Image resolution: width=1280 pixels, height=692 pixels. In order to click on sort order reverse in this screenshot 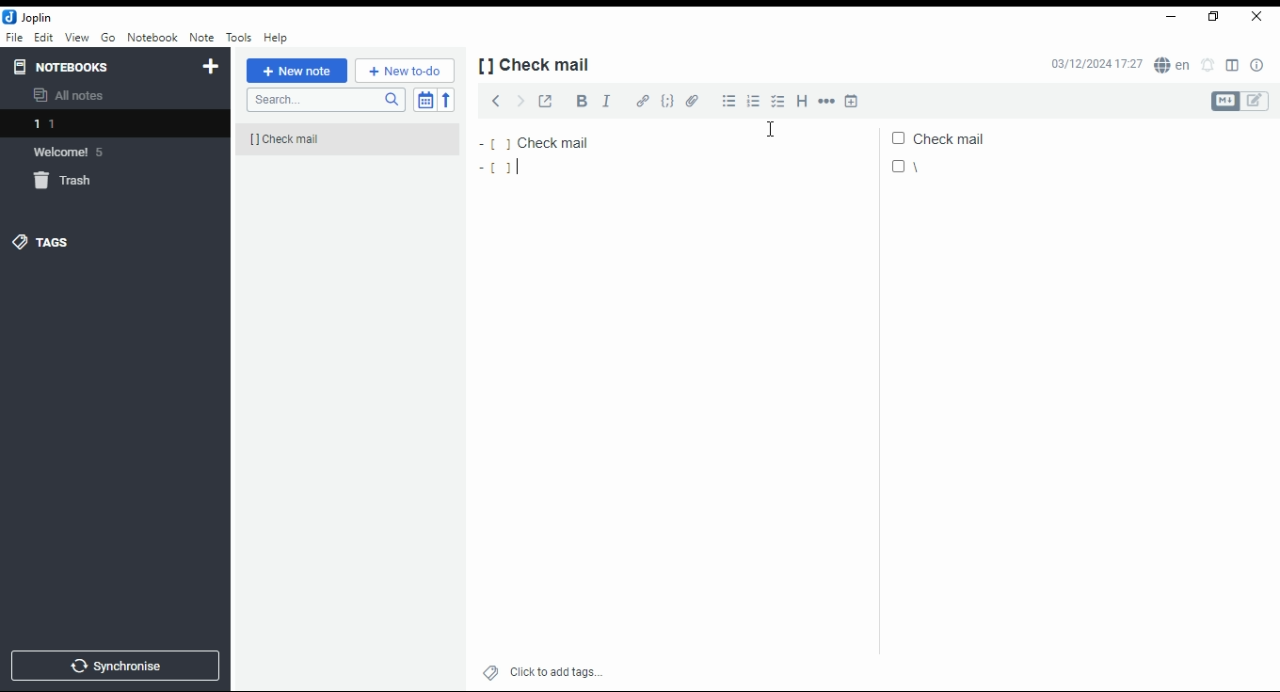, I will do `click(446, 99)`.